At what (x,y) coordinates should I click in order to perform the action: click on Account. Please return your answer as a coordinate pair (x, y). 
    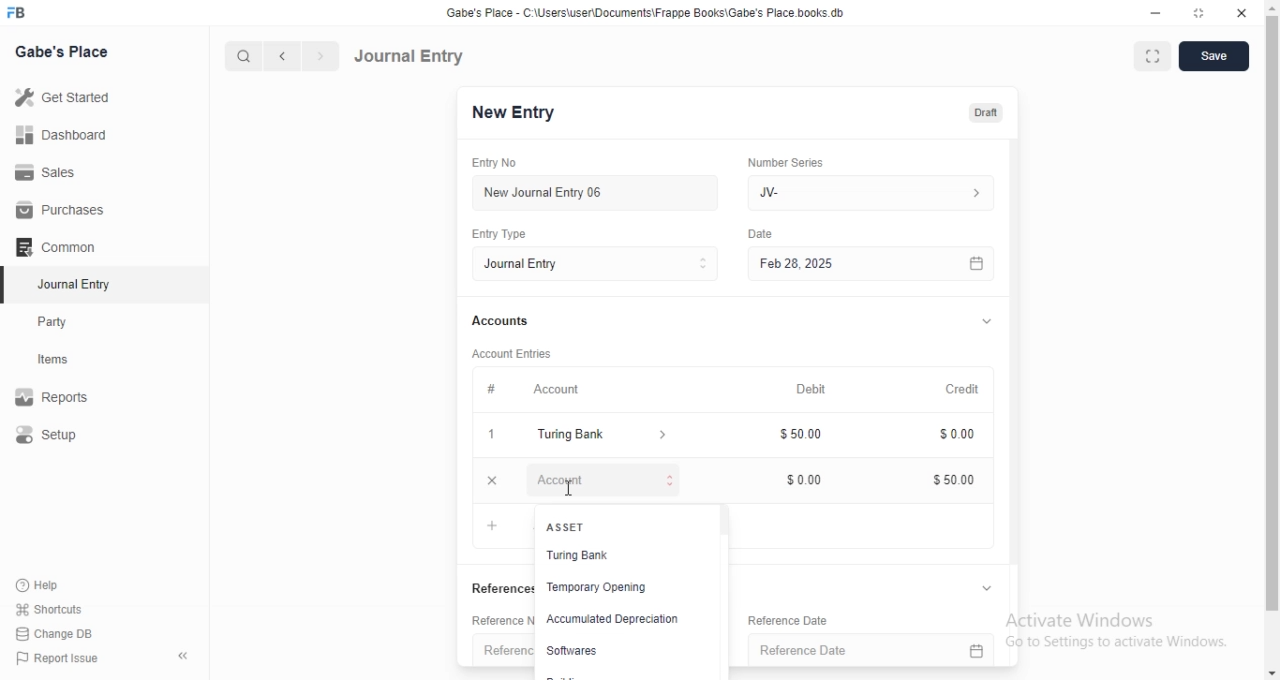
    Looking at the image, I should click on (549, 391).